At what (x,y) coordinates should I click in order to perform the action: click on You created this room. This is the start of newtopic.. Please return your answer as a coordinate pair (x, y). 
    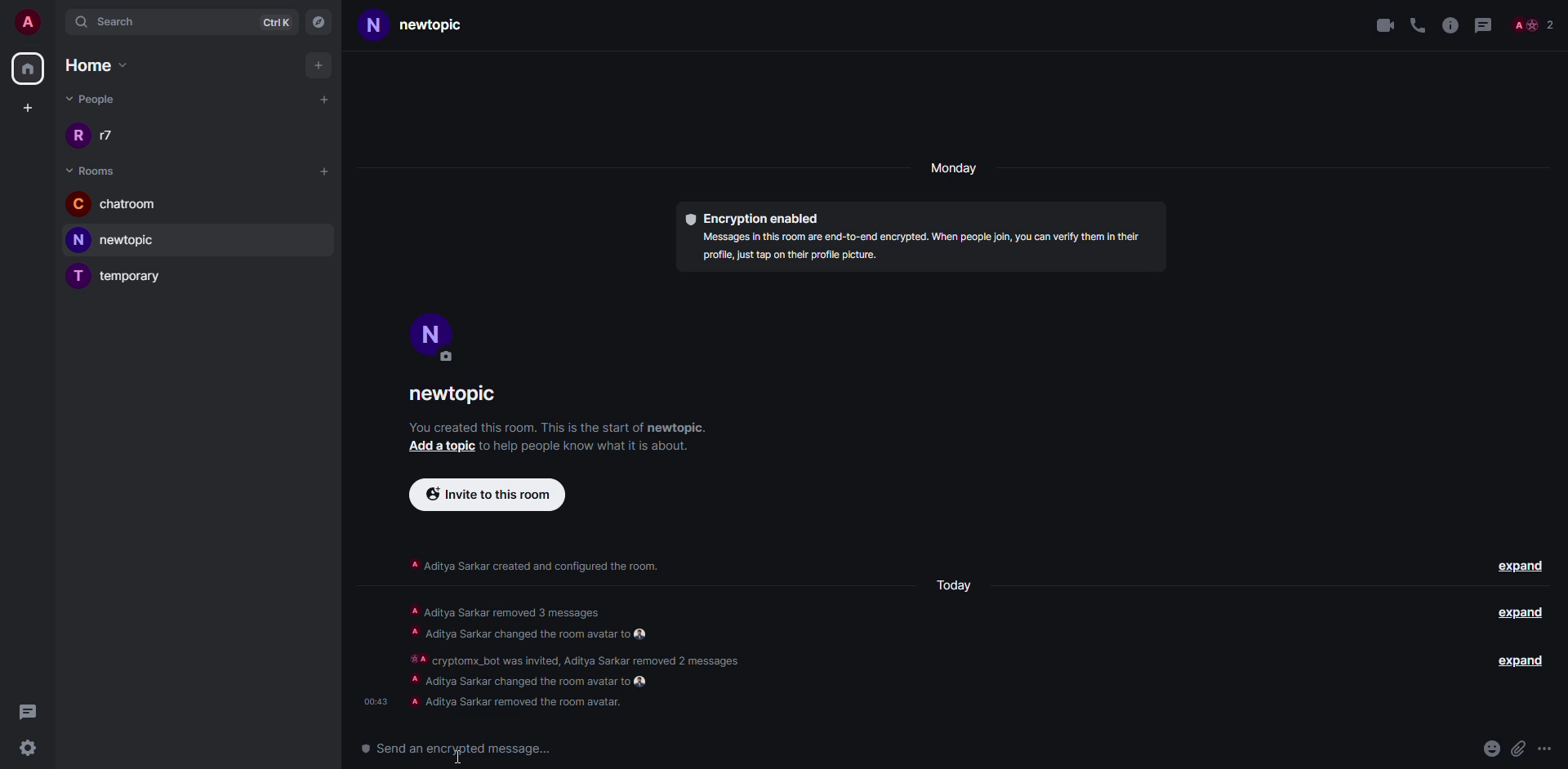
    Looking at the image, I should click on (561, 426).